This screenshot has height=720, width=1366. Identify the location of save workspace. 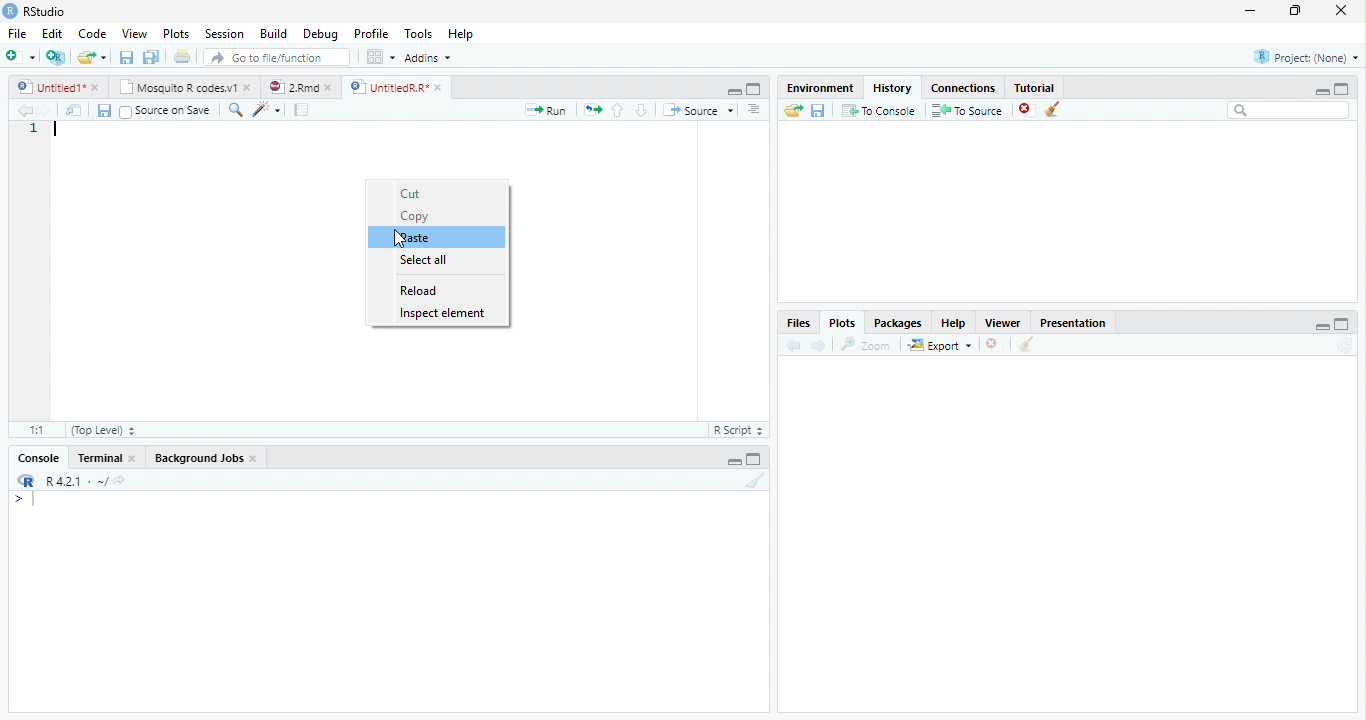
(820, 111).